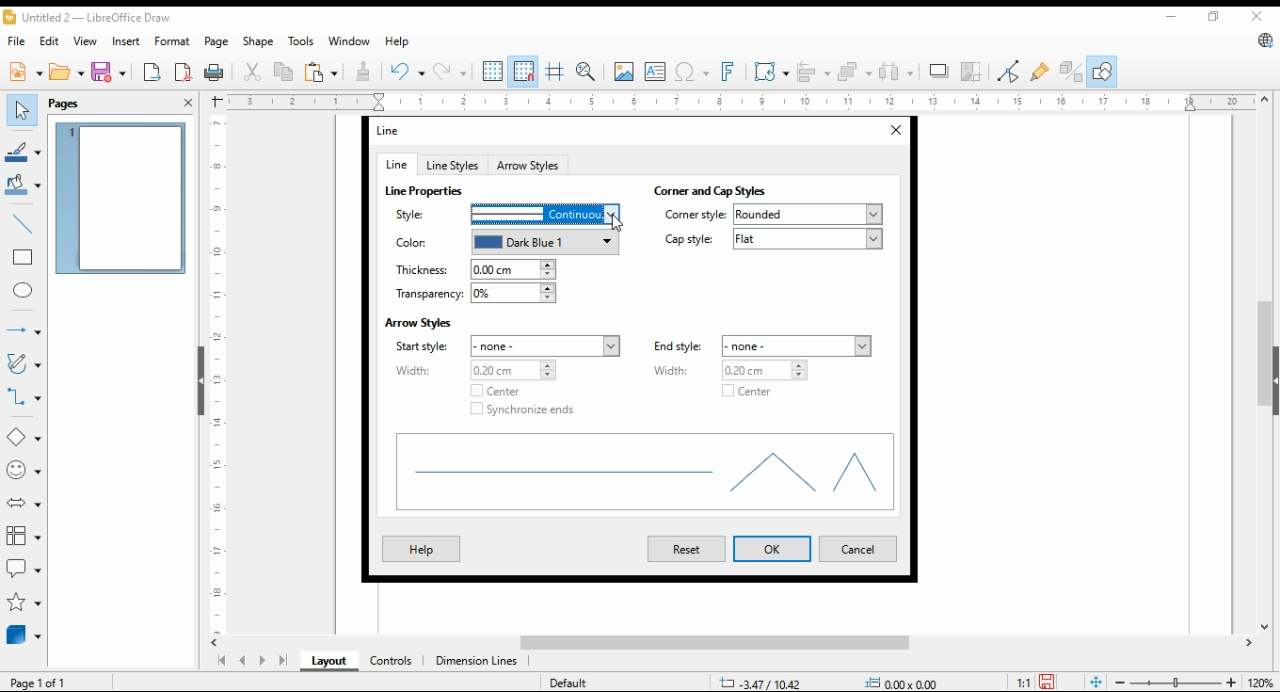  Describe the element at coordinates (126, 40) in the screenshot. I see `insert` at that location.